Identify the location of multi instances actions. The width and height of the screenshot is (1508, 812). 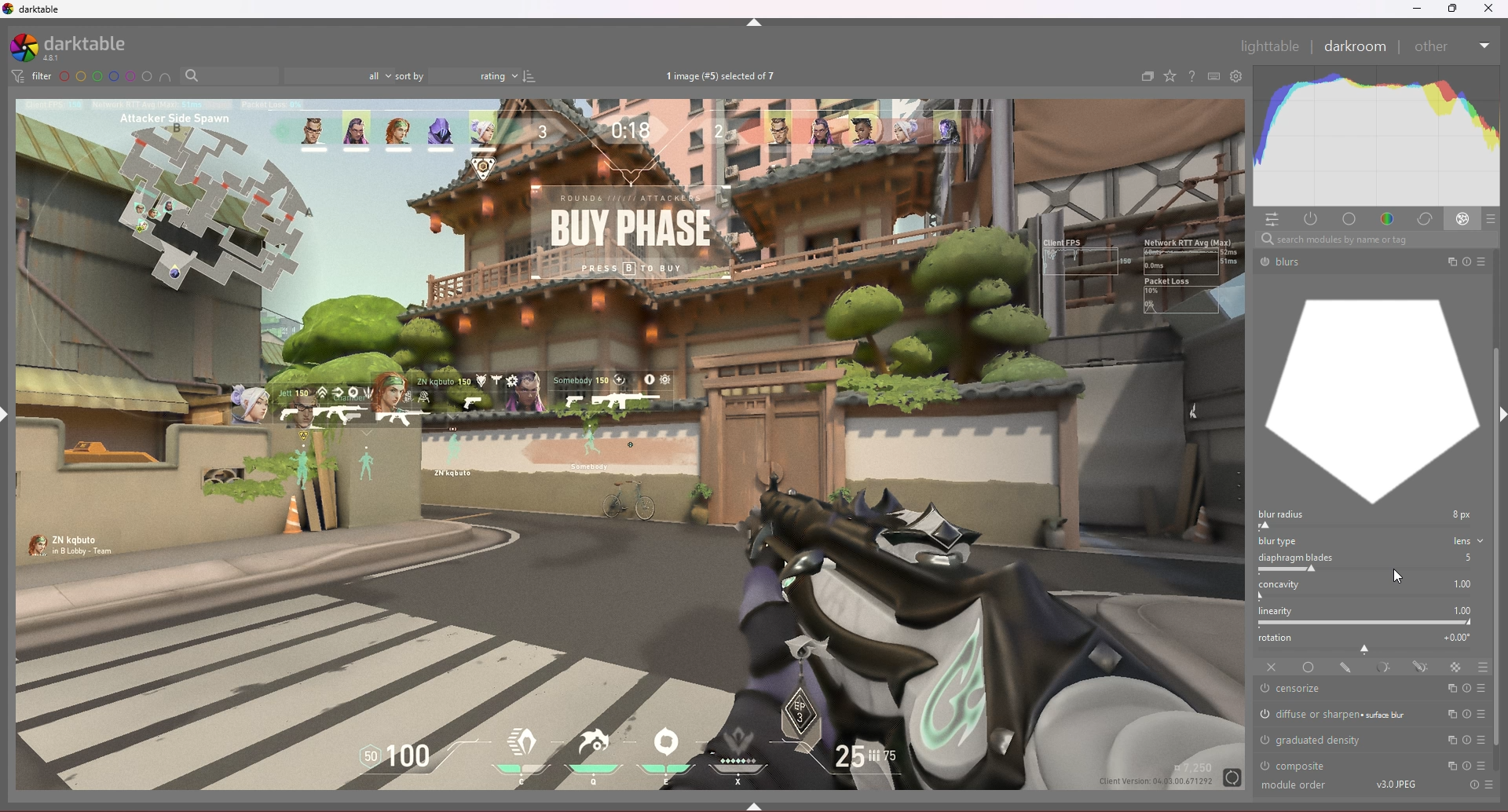
(1448, 741).